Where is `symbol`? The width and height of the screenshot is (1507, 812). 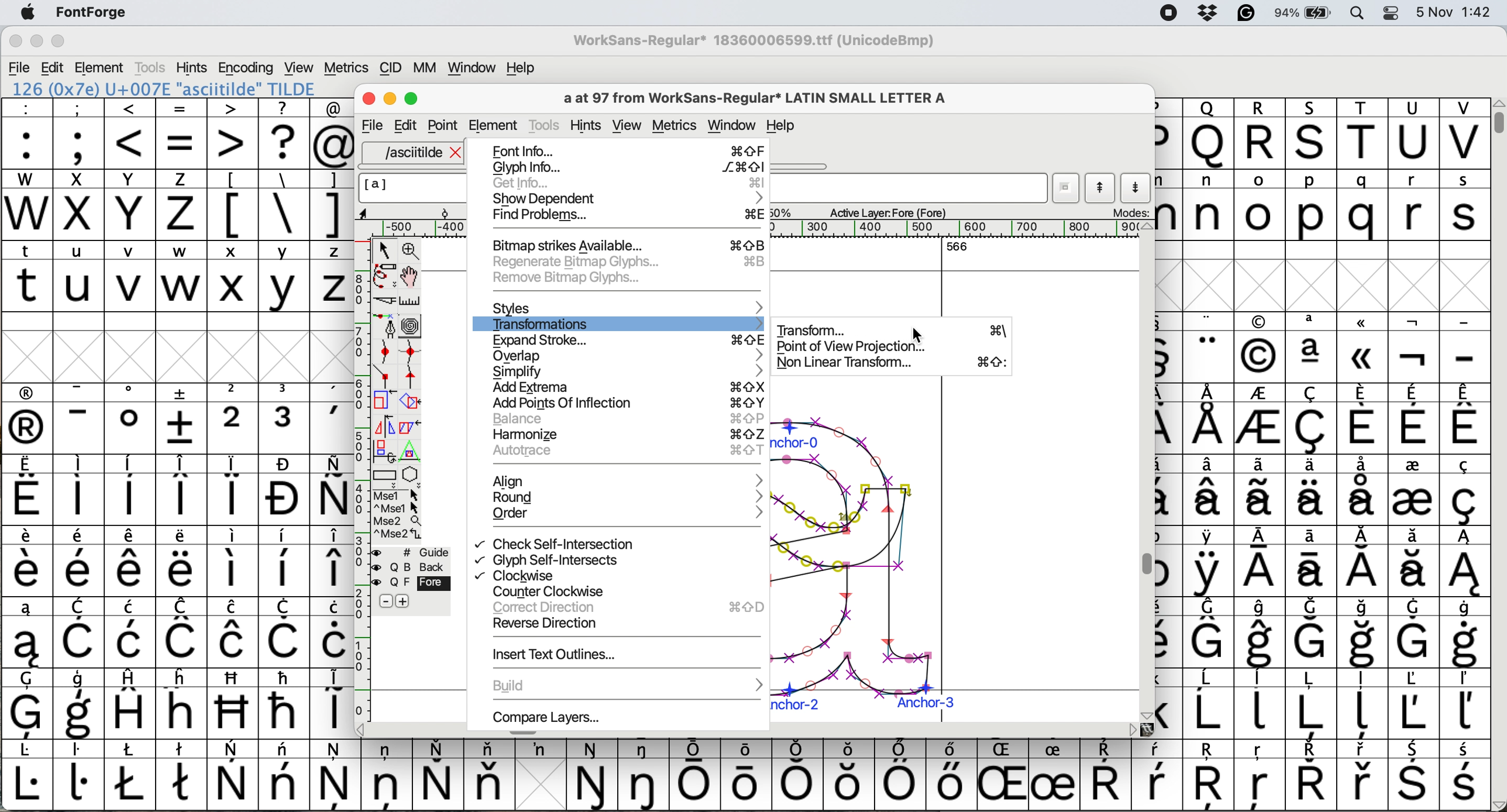 symbol is located at coordinates (1412, 489).